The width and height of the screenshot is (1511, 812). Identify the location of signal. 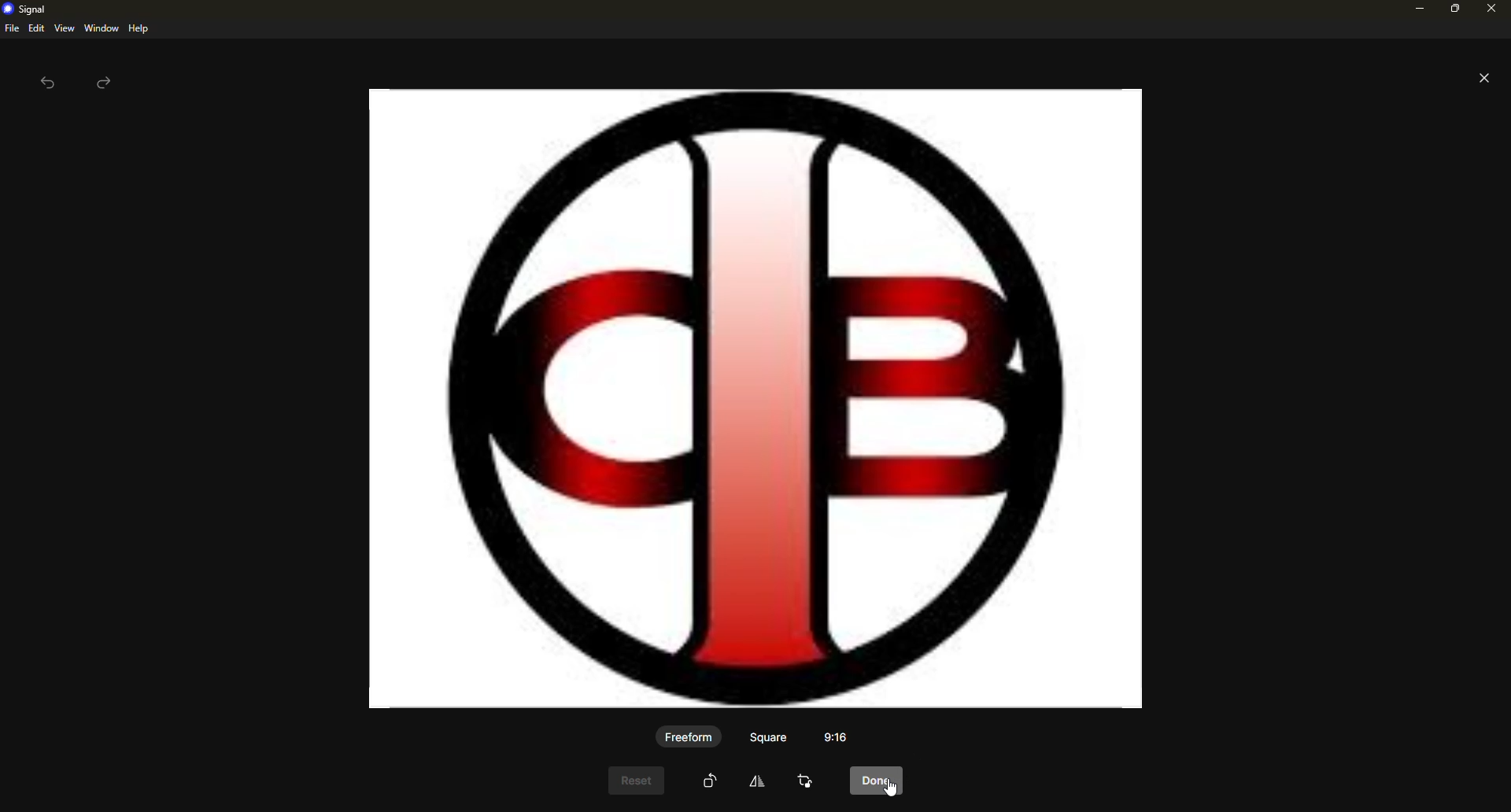
(28, 9).